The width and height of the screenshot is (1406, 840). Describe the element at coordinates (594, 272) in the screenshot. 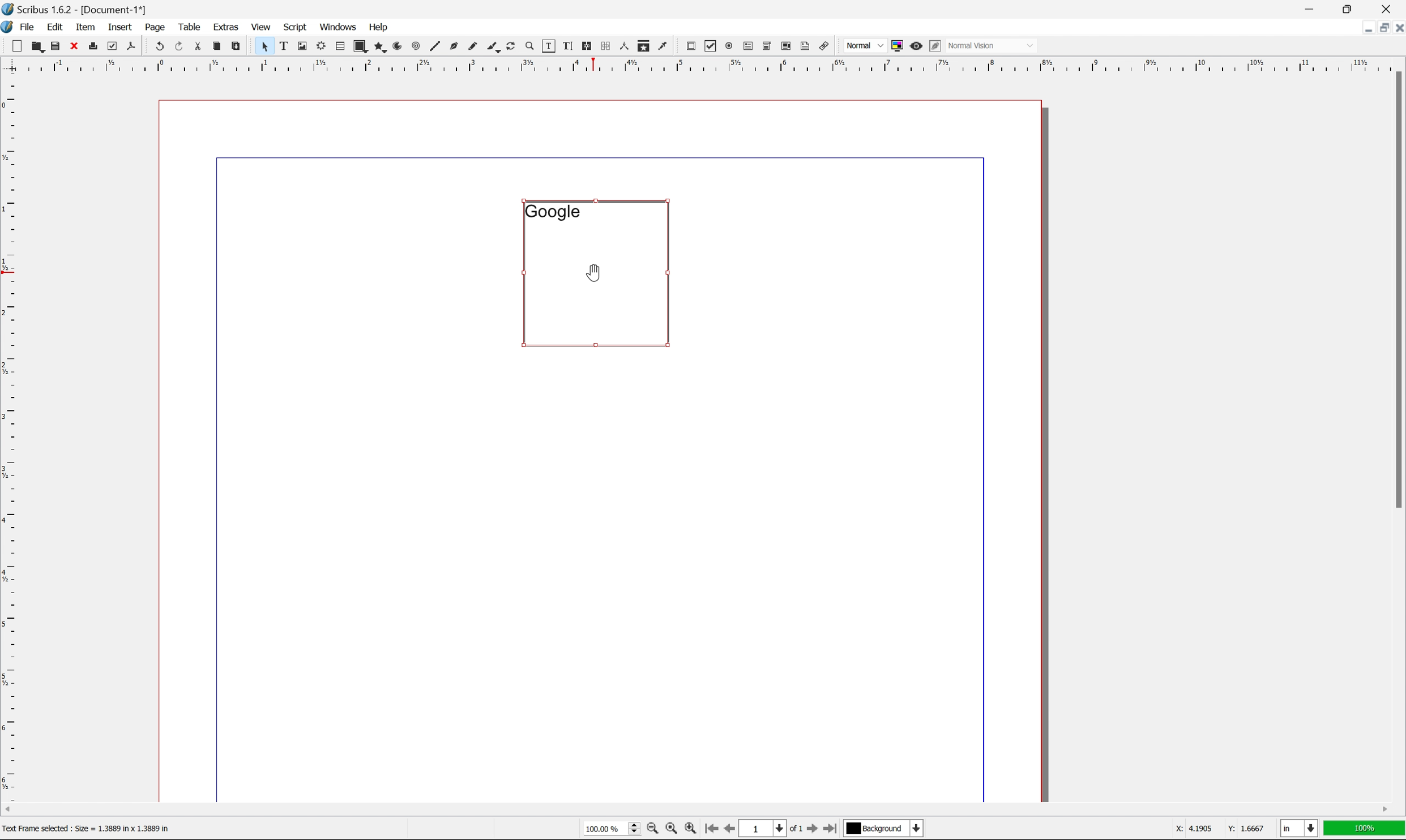

I see `Cursor` at that location.